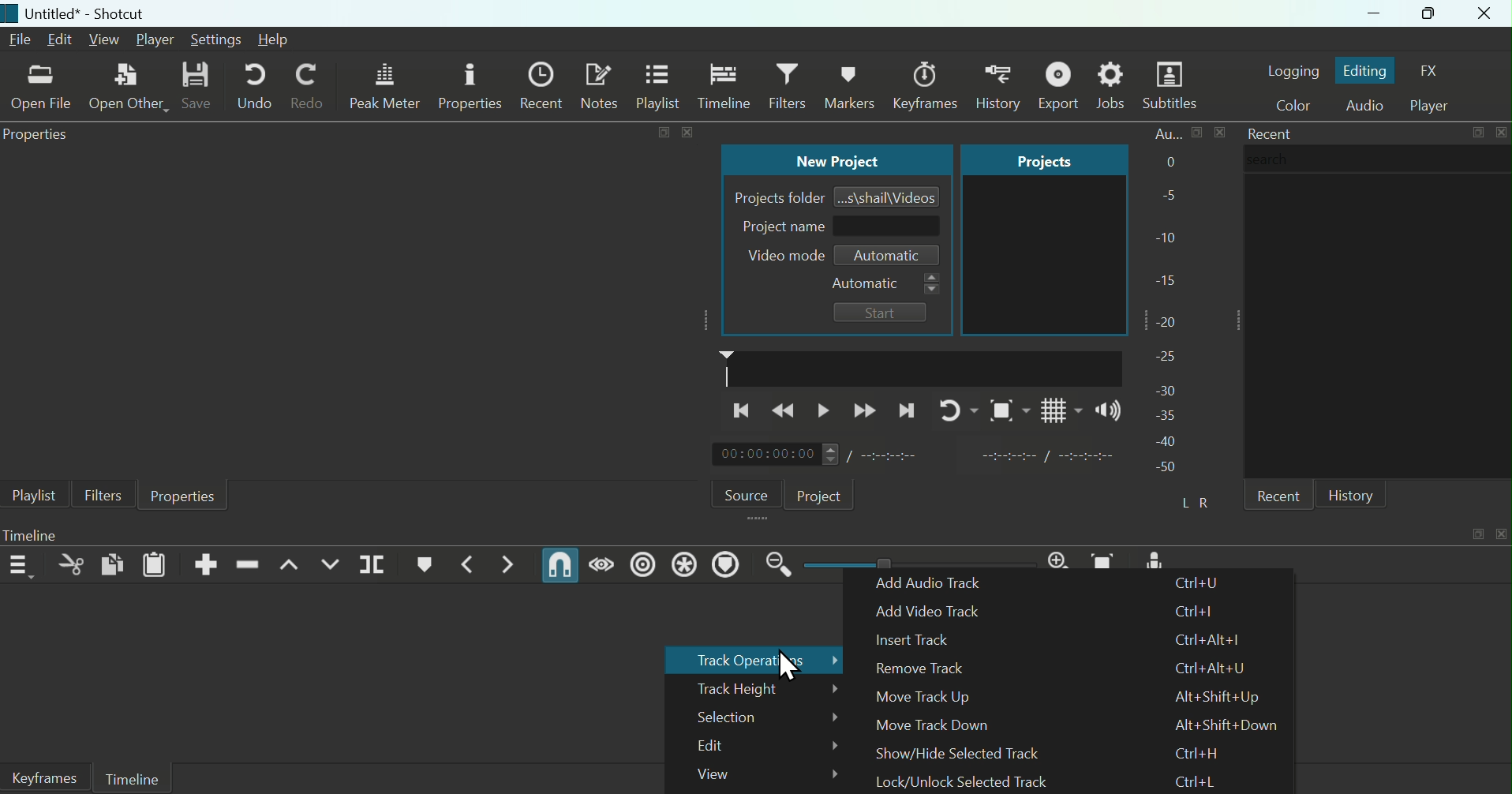 Image resolution: width=1512 pixels, height=794 pixels. I want to click on Source, so click(743, 492).